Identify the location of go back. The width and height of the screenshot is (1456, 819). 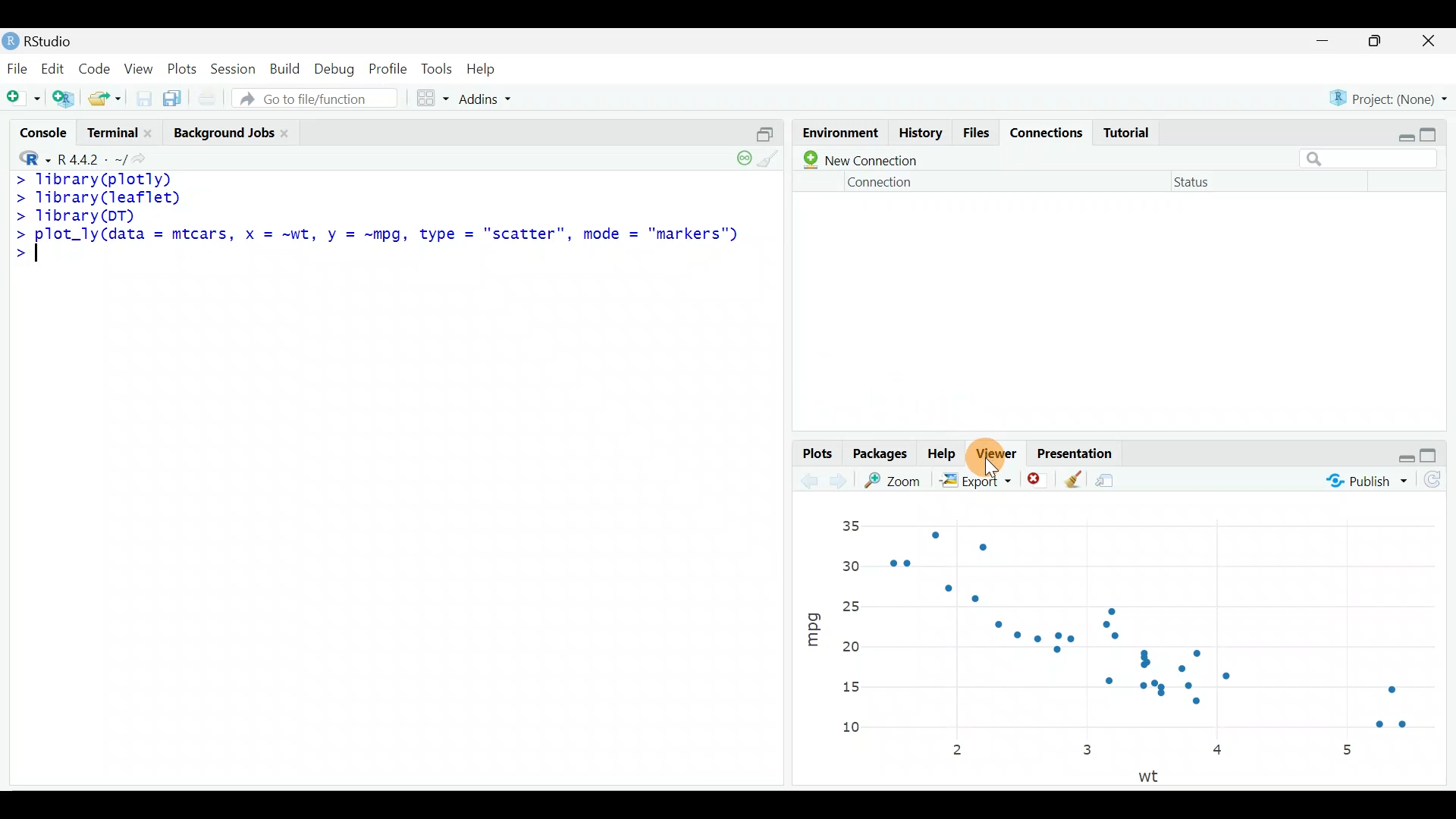
(808, 480).